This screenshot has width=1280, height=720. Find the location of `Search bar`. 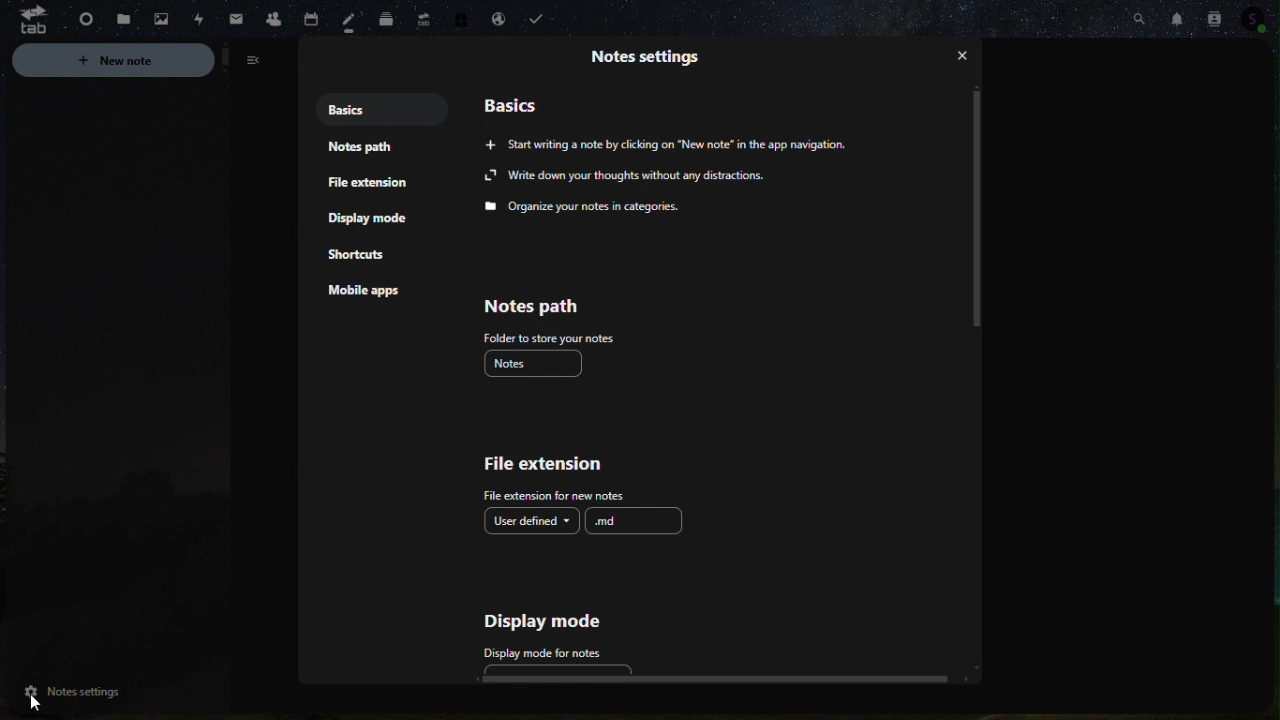

Search bar is located at coordinates (1125, 16).